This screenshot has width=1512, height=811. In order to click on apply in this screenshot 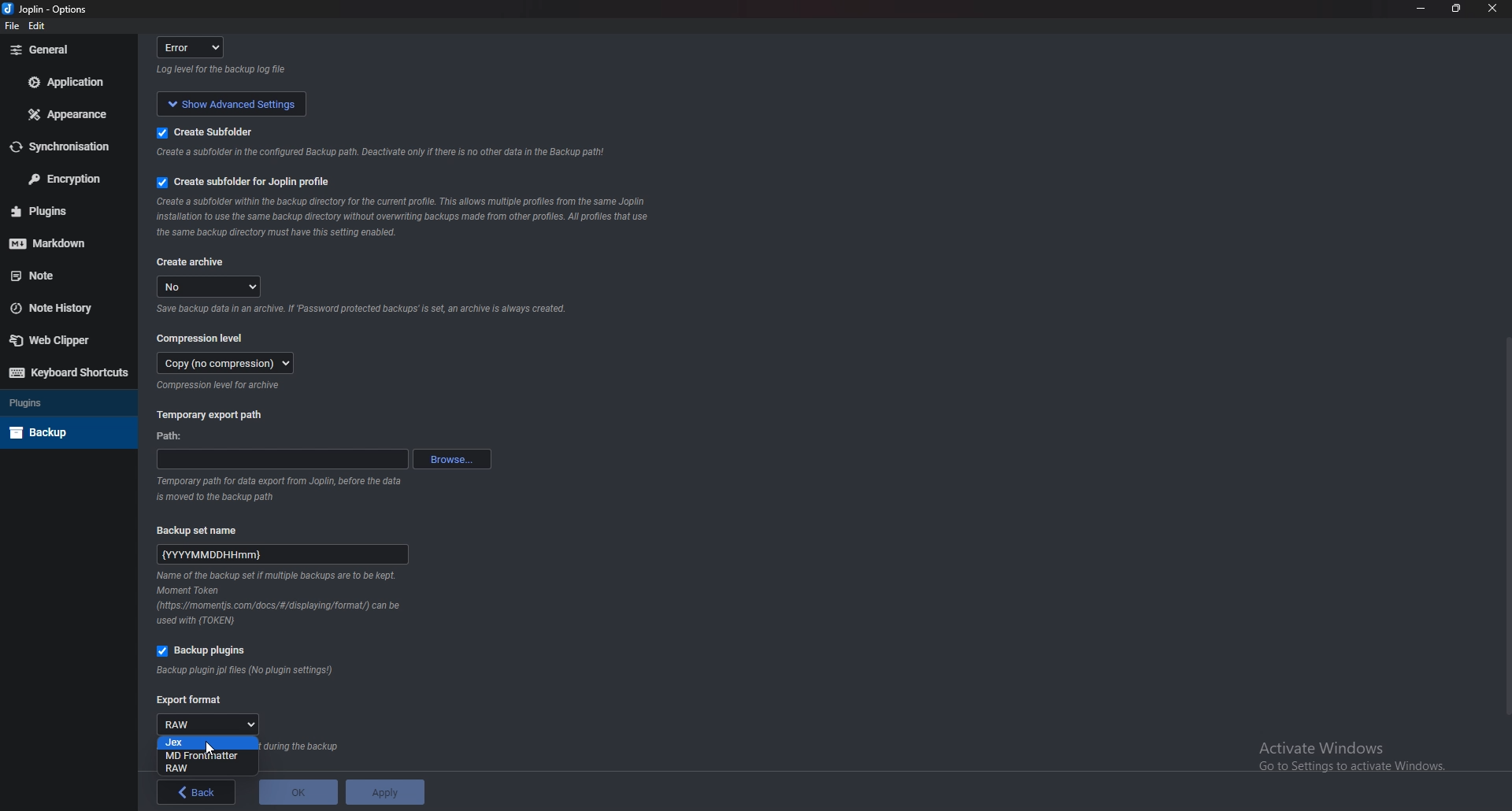, I will do `click(384, 792)`.